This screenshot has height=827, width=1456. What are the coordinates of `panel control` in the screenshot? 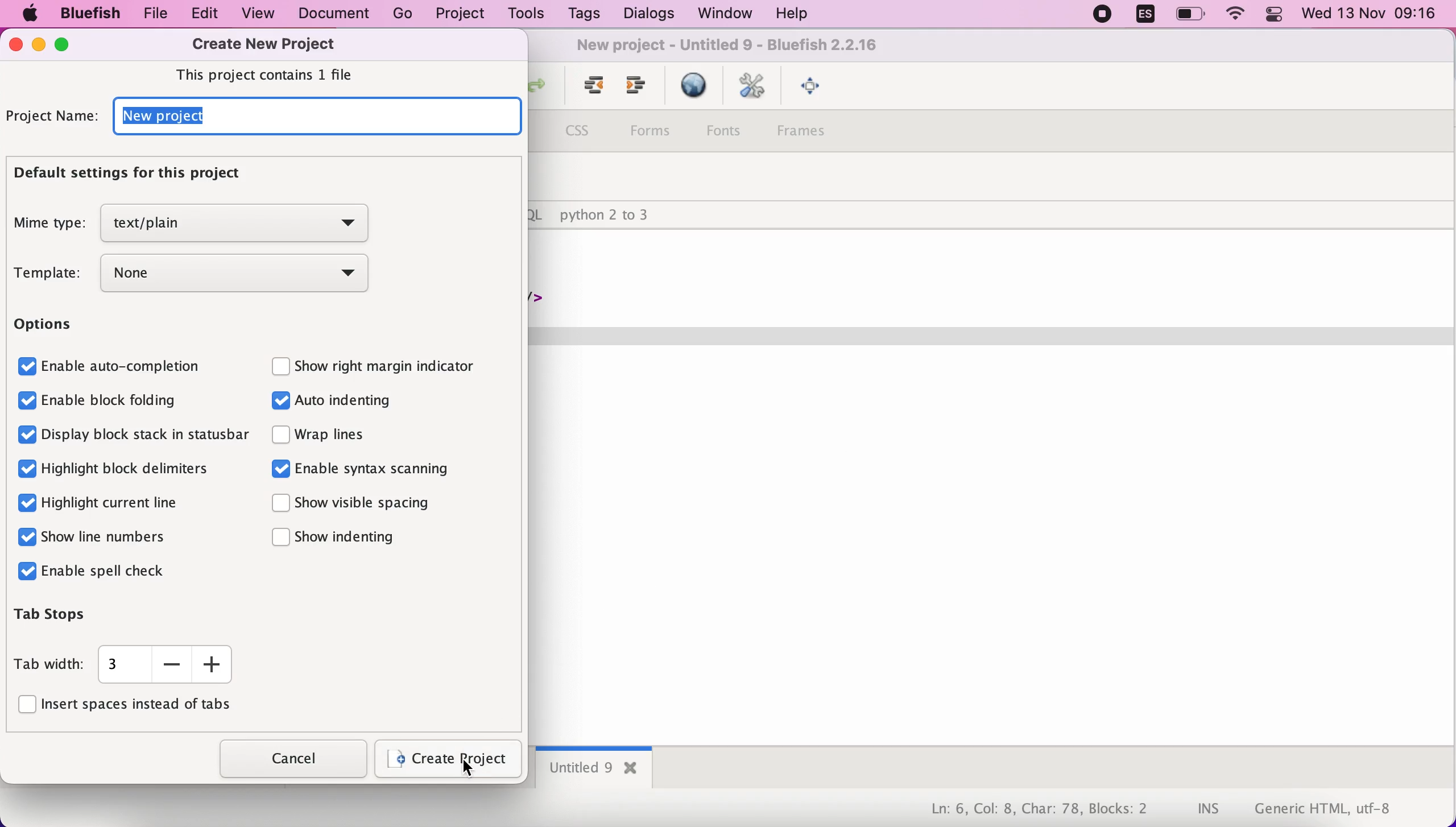 It's located at (1274, 15).